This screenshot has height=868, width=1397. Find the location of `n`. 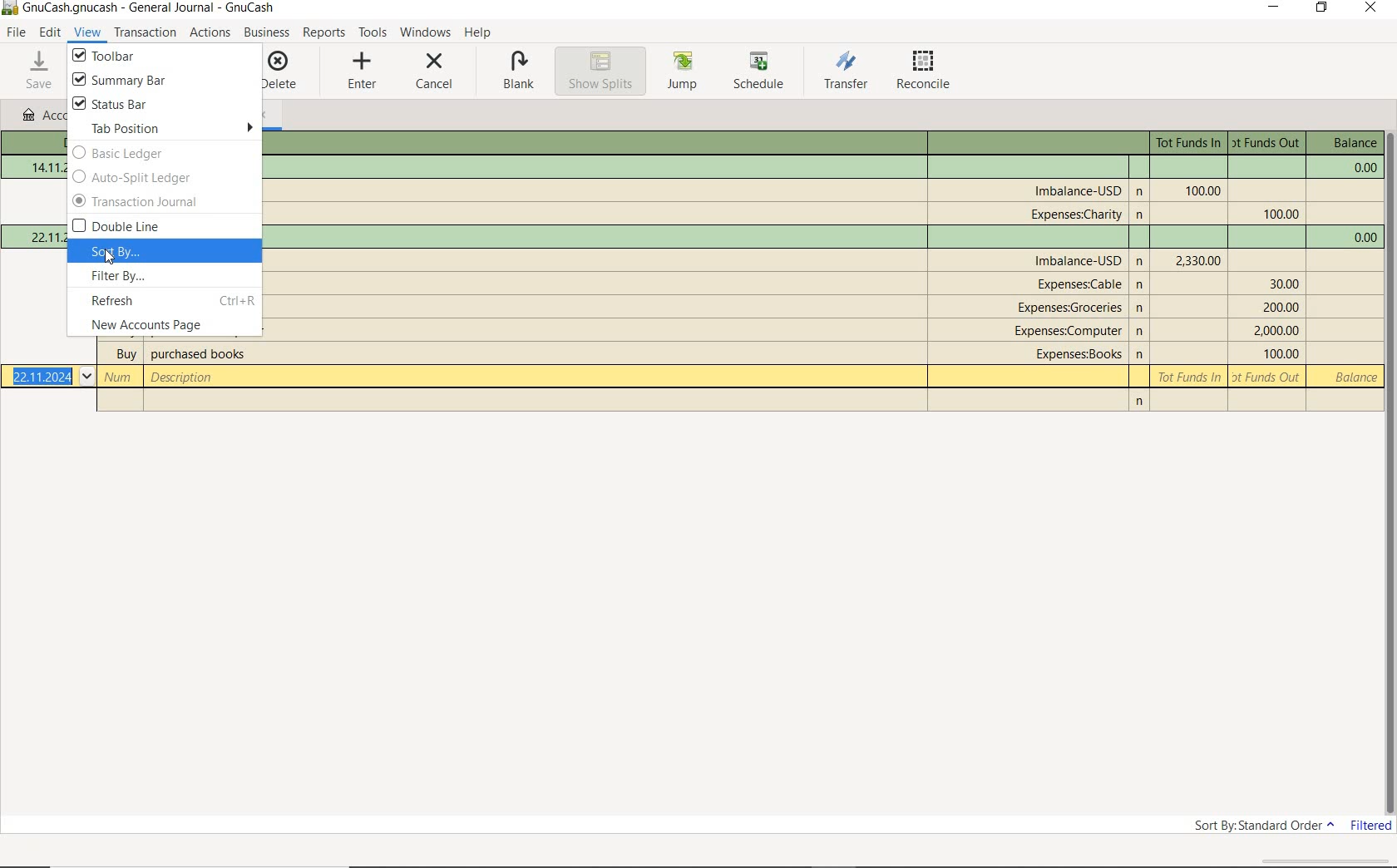

n is located at coordinates (1143, 287).